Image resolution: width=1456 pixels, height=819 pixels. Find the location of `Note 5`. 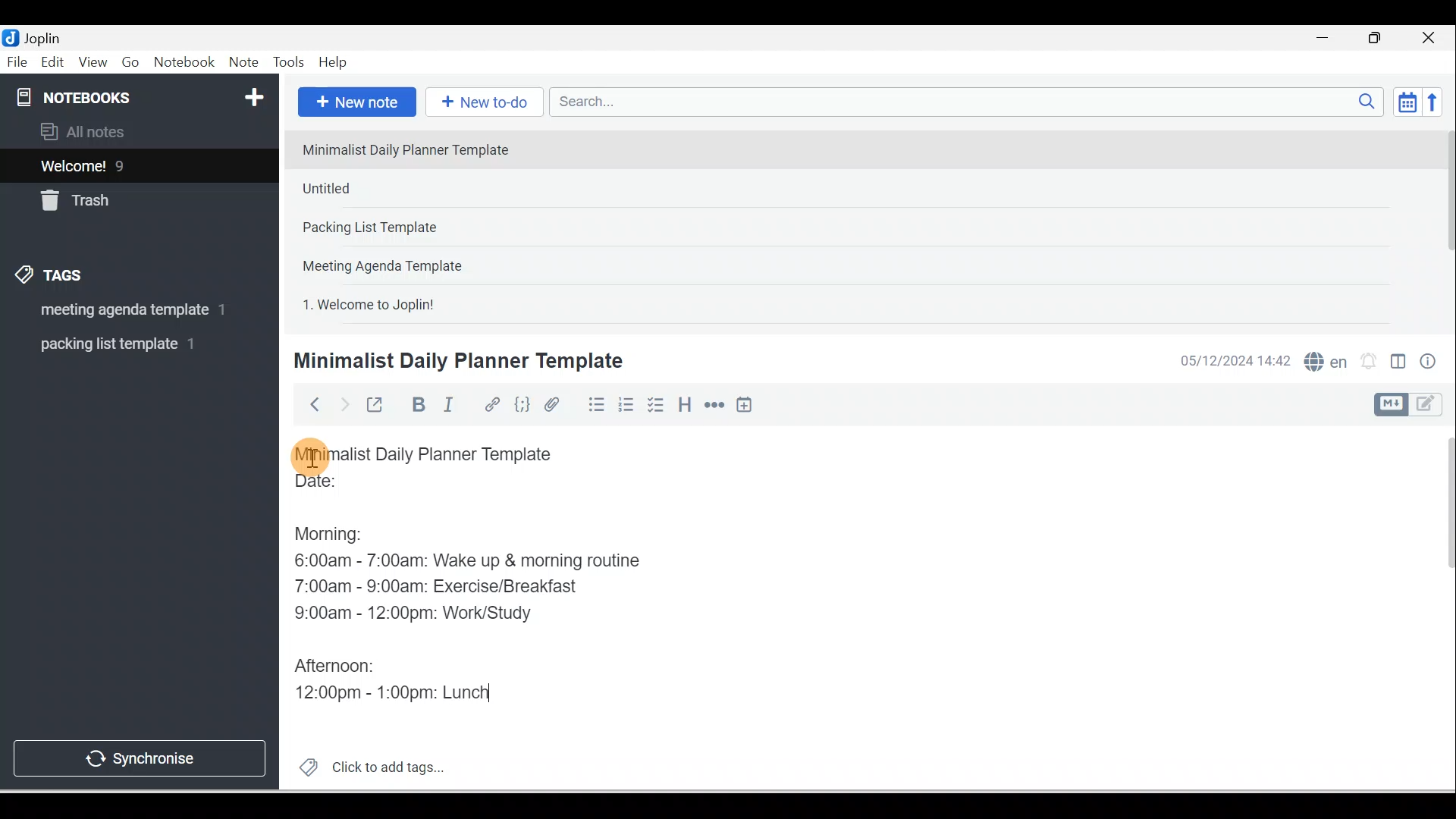

Note 5 is located at coordinates (424, 303).